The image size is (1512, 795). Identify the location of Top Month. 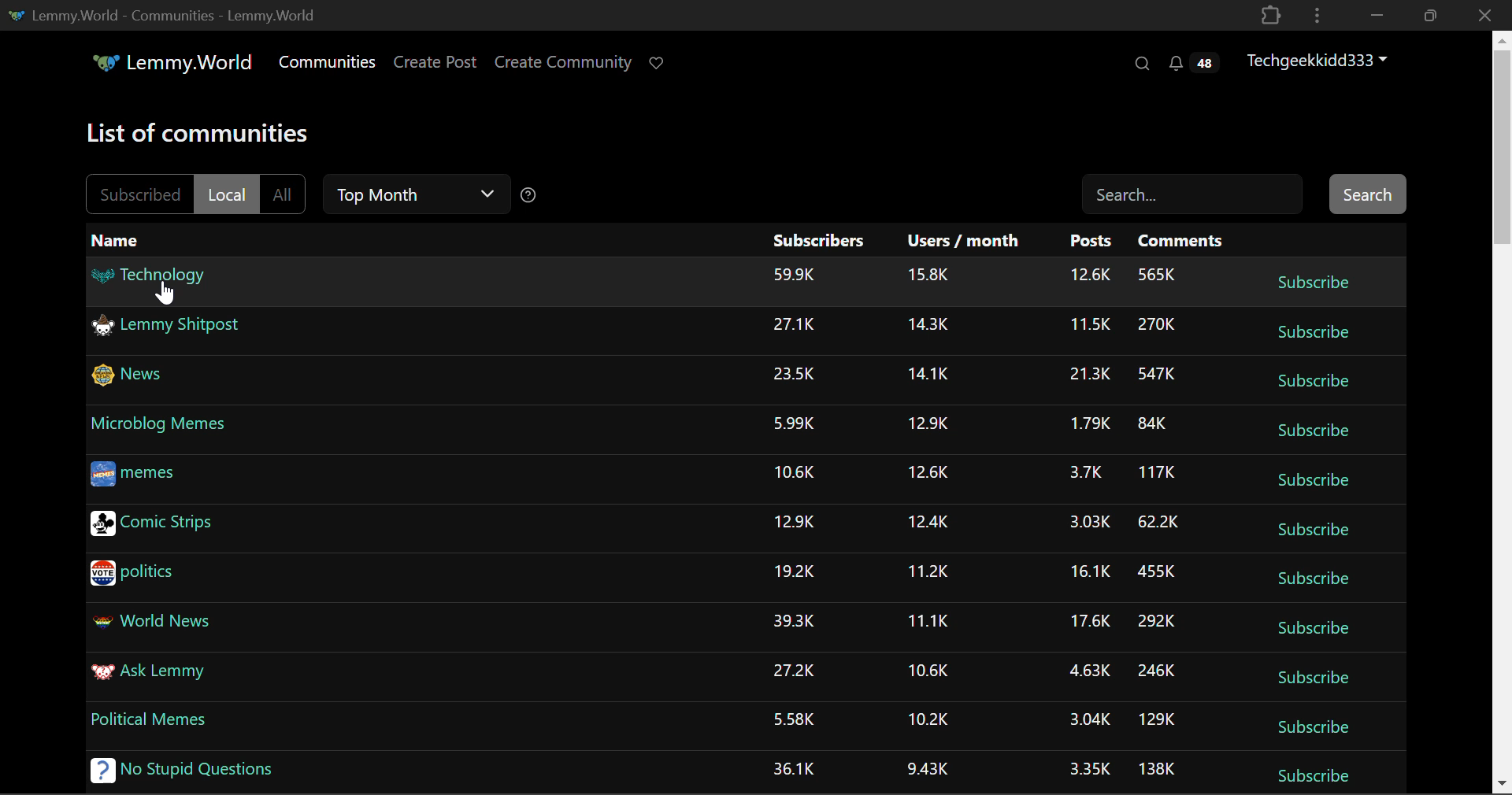
(419, 195).